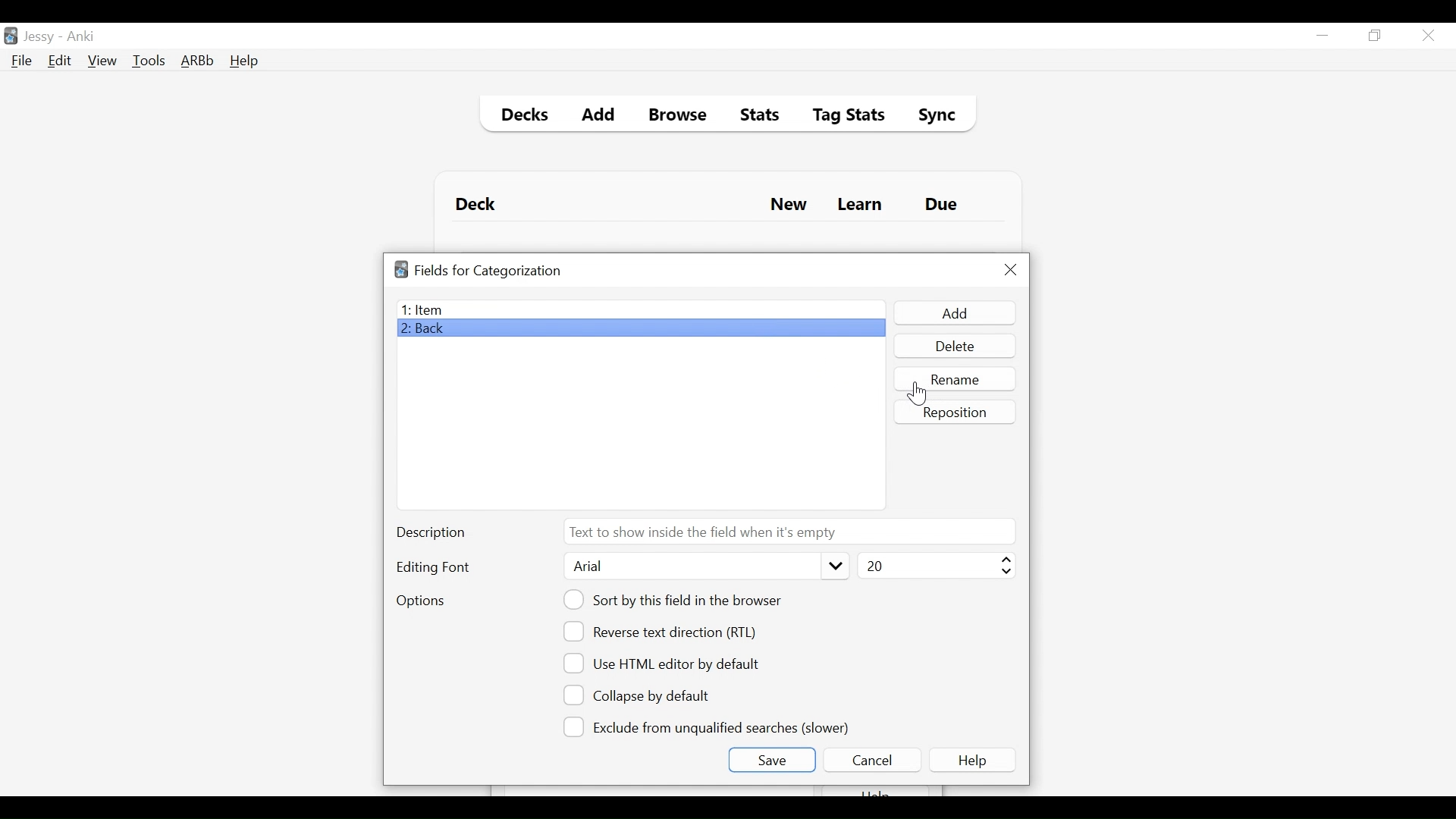  I want to click on Learn, so click(859, 206).